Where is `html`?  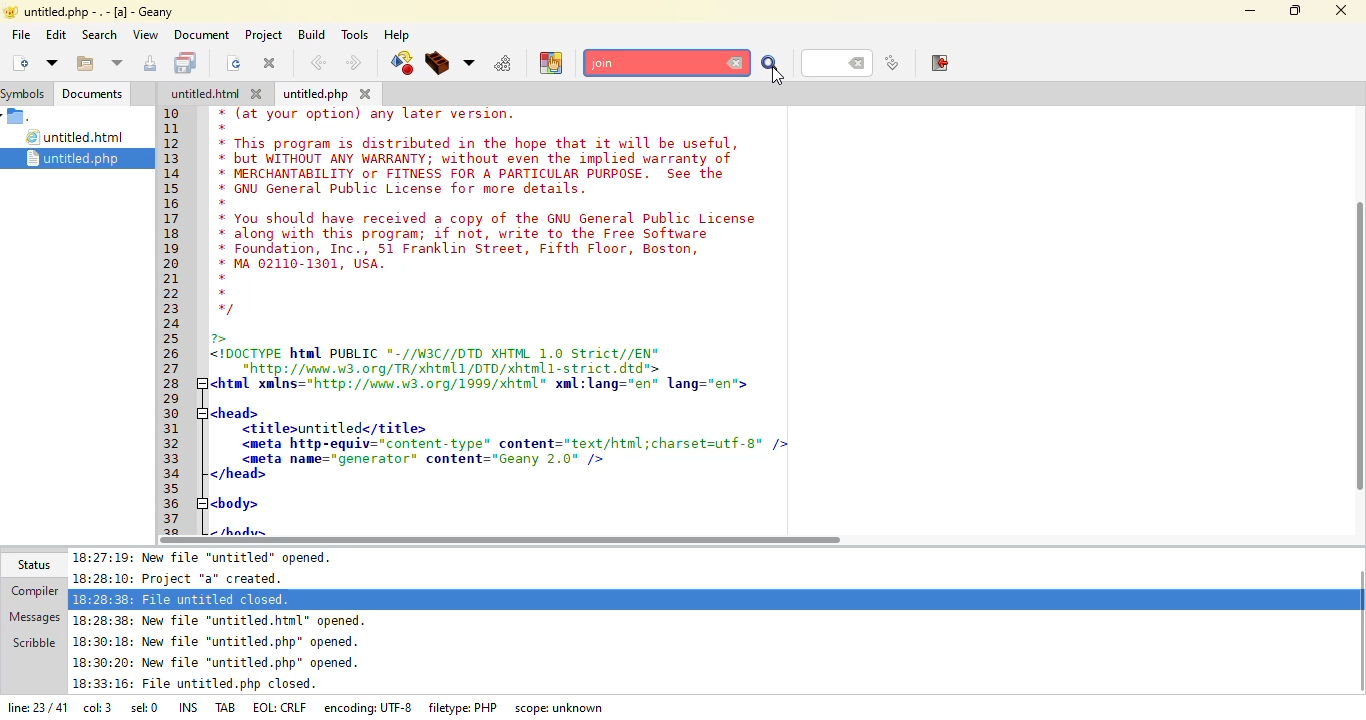 html is located at coordinates (205, 94).